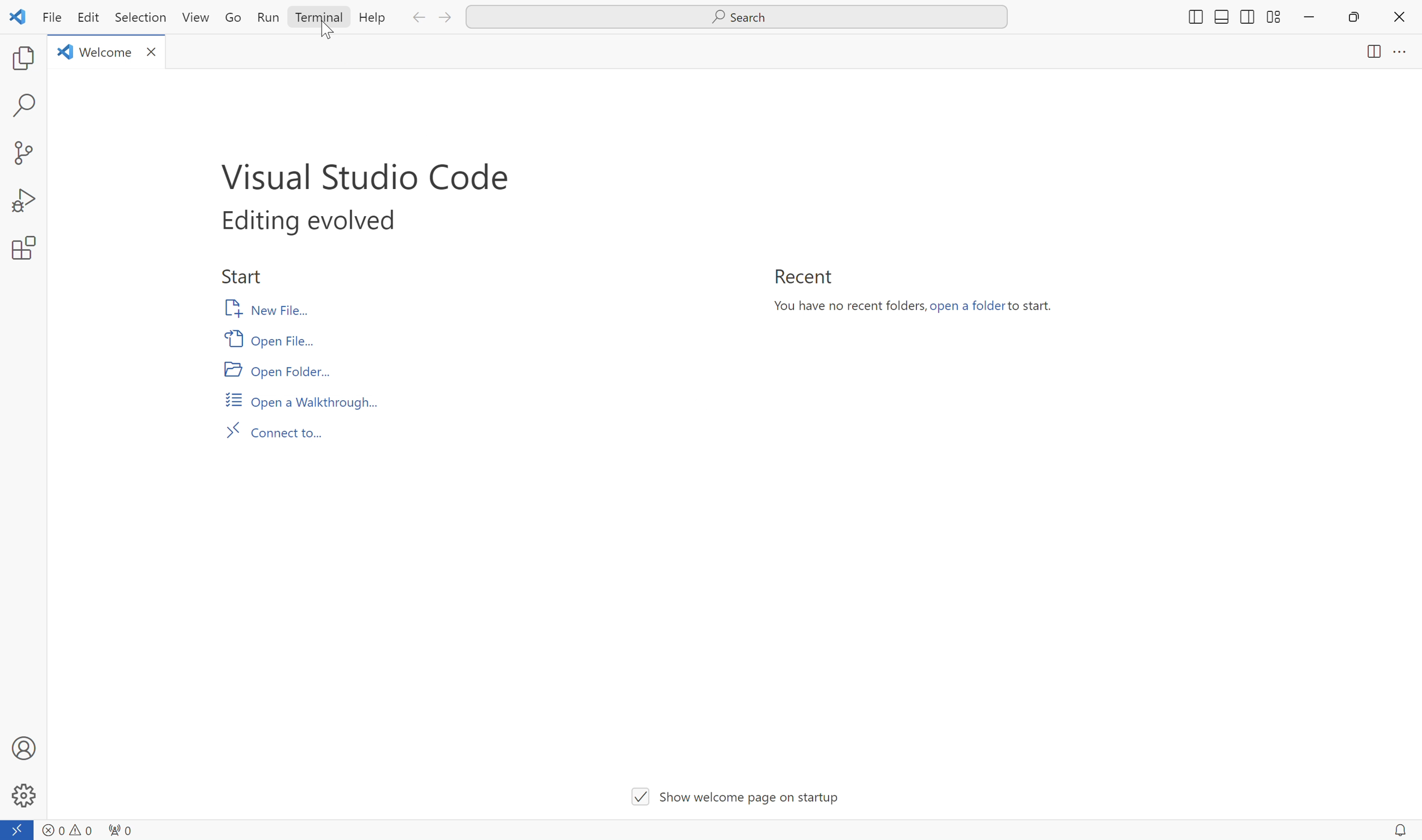  Describe the element at coordinates (81, 828) in the screenshot. I see `warnings` at that location.